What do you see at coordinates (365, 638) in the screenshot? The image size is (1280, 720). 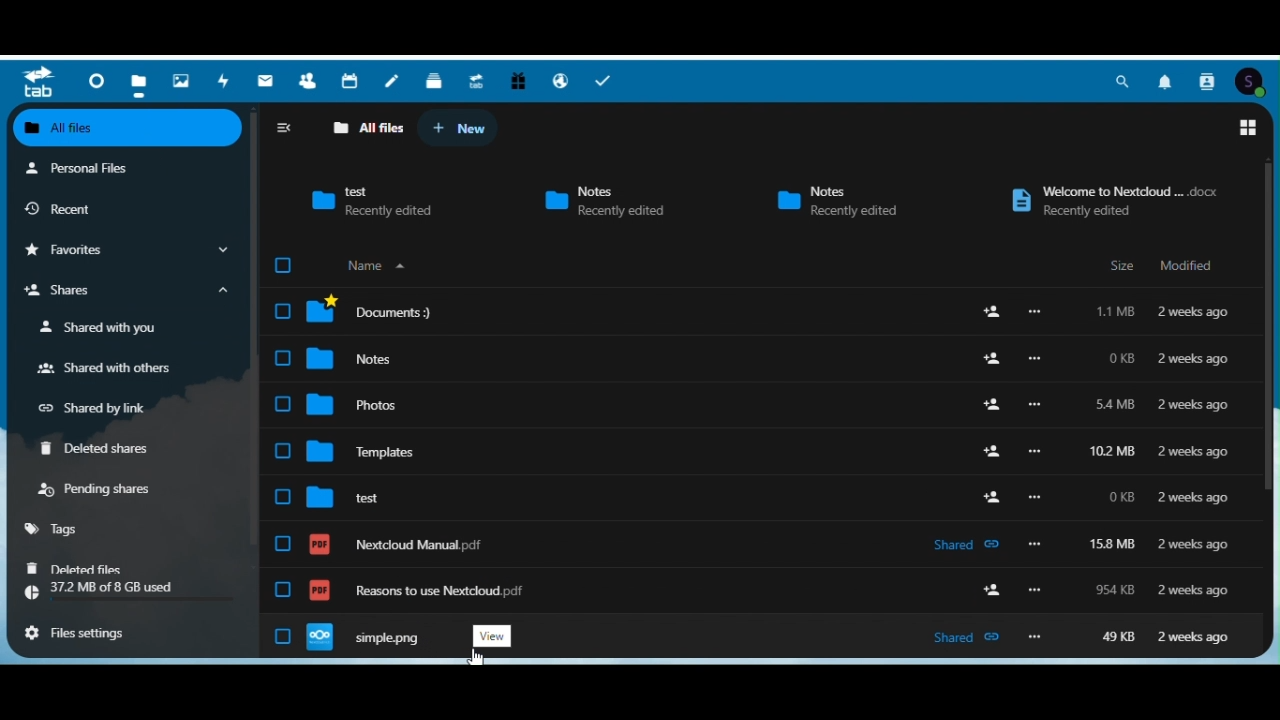 I see `simple.png` at bounding box center [365, 638].